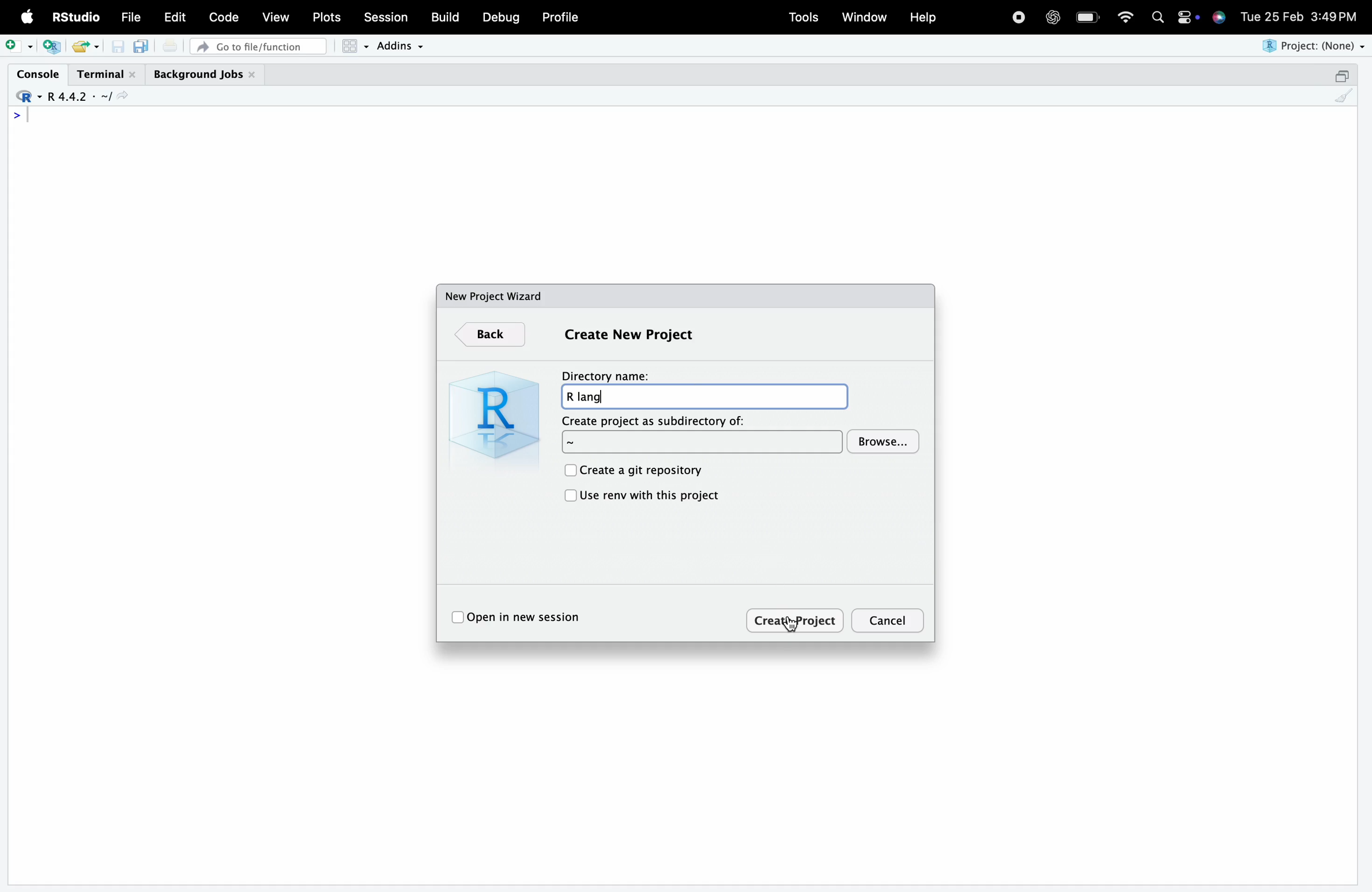 The width and height of the screenshot is (1372, 892). I want to click on settings, so click(1187, 17).